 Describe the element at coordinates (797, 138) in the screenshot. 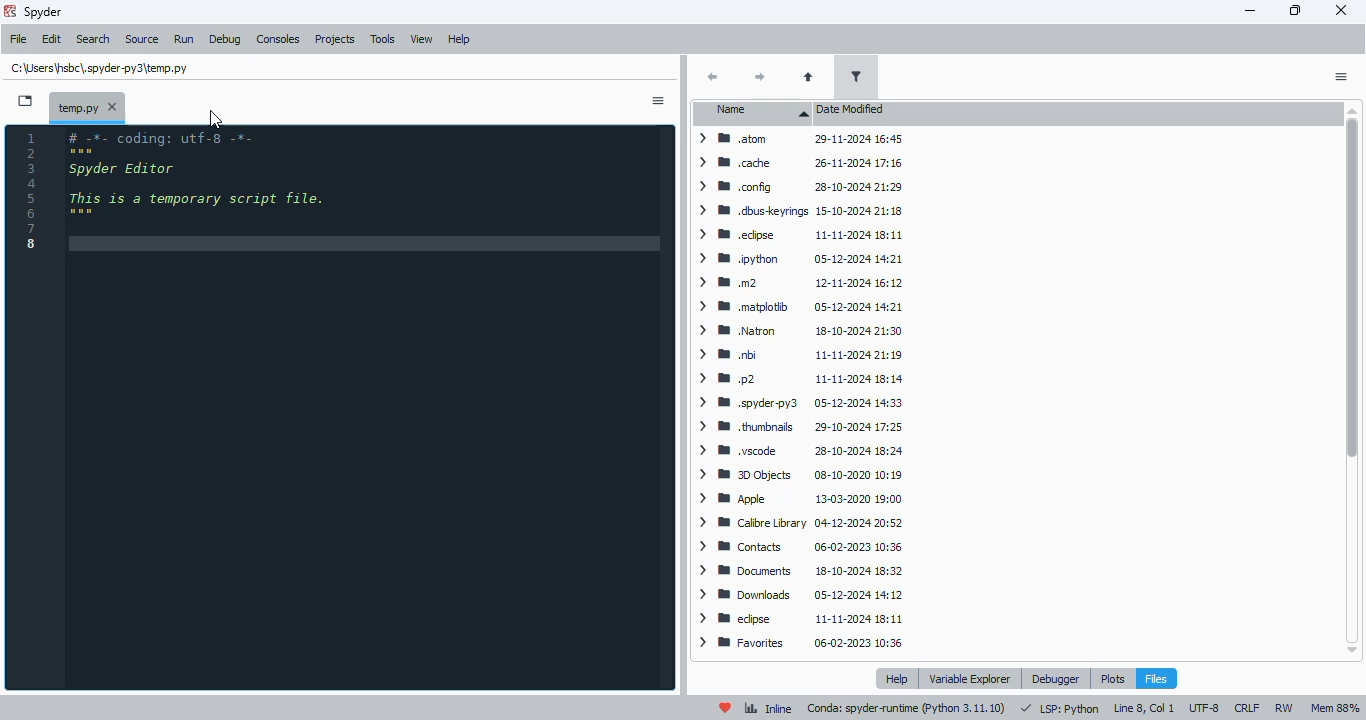

I see `> BB atom 29-11-2024 16:45` at that location.